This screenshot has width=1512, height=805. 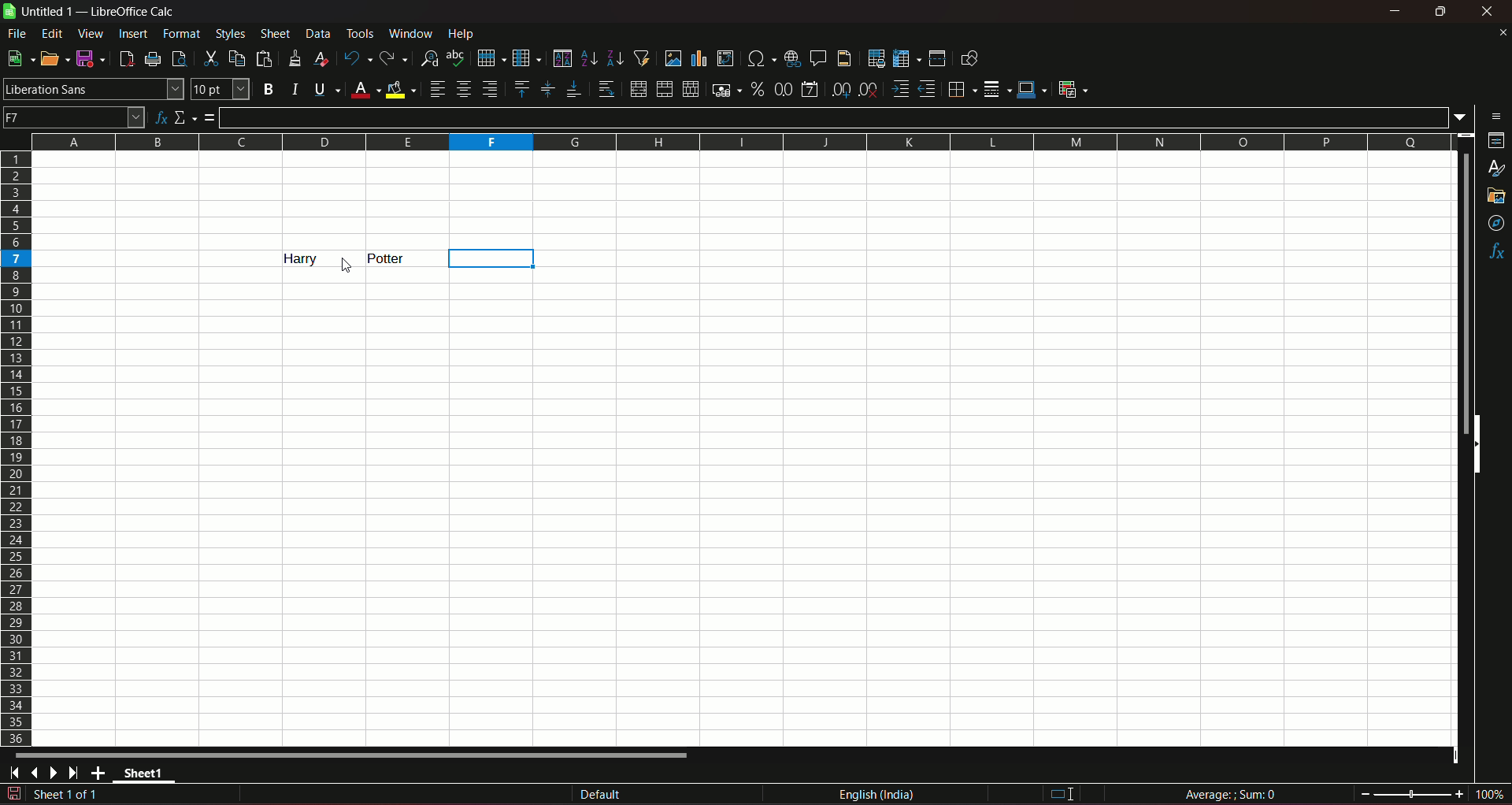 What do you see at coordinates (57, 773) in the screenshot?
I see `scroll to next` at bounding box center [57, 773].